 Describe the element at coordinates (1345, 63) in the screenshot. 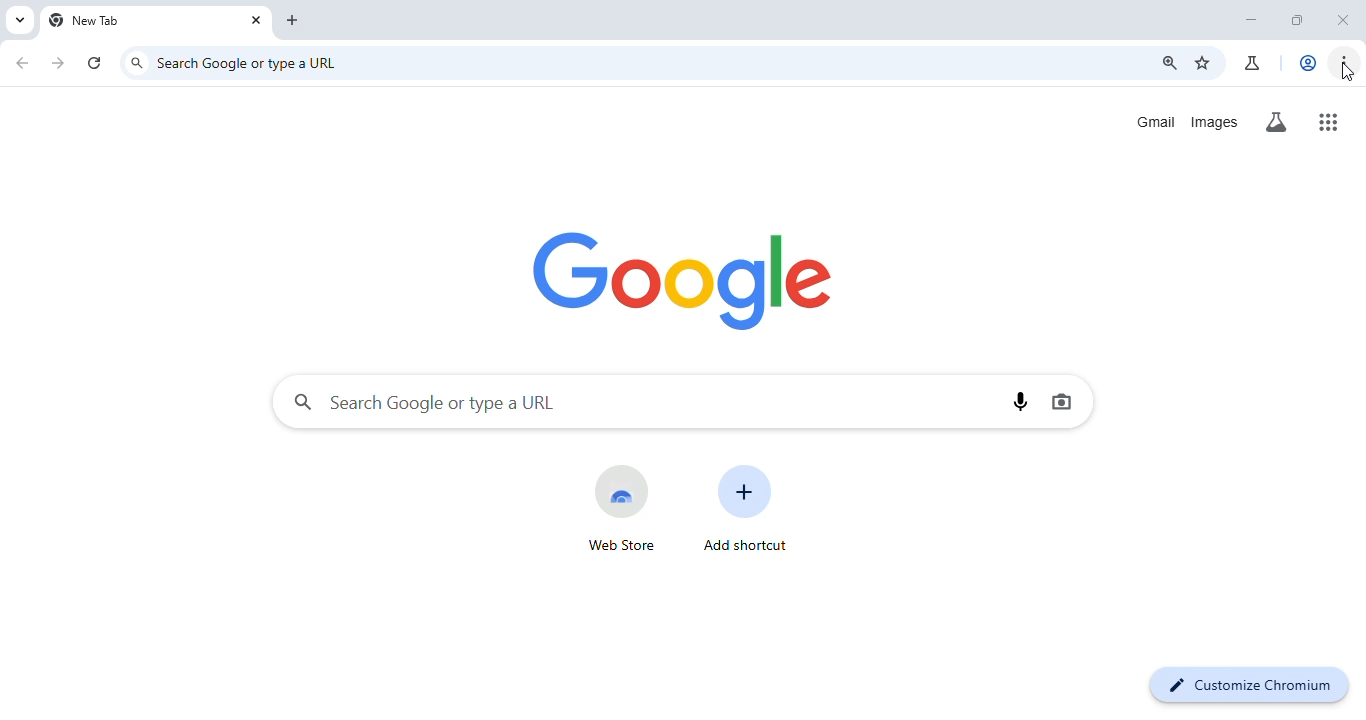

I see `customize and control google chrome` at that location.